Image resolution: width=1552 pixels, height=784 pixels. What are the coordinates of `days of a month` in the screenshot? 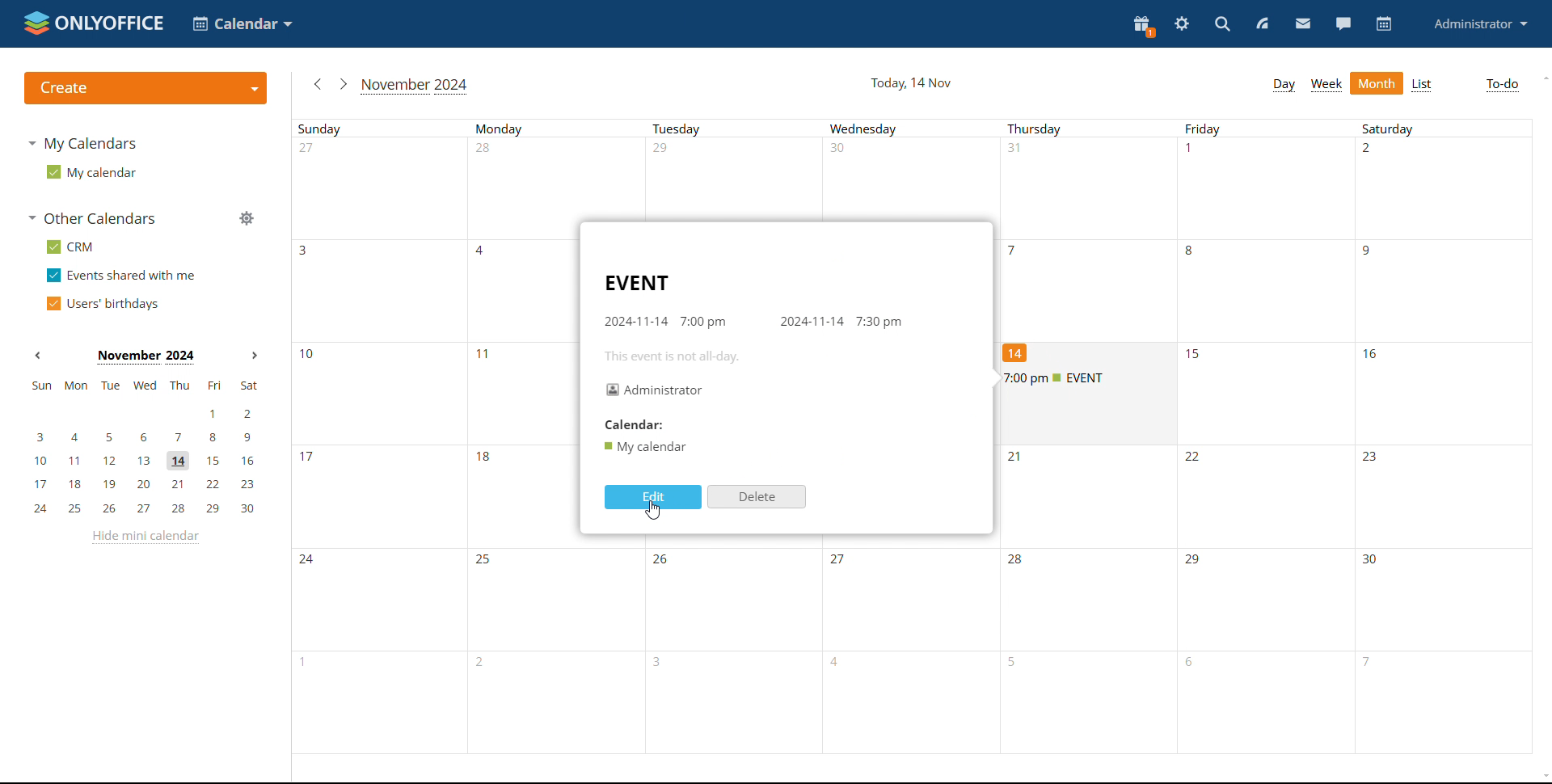 It's located at (1090, 178).